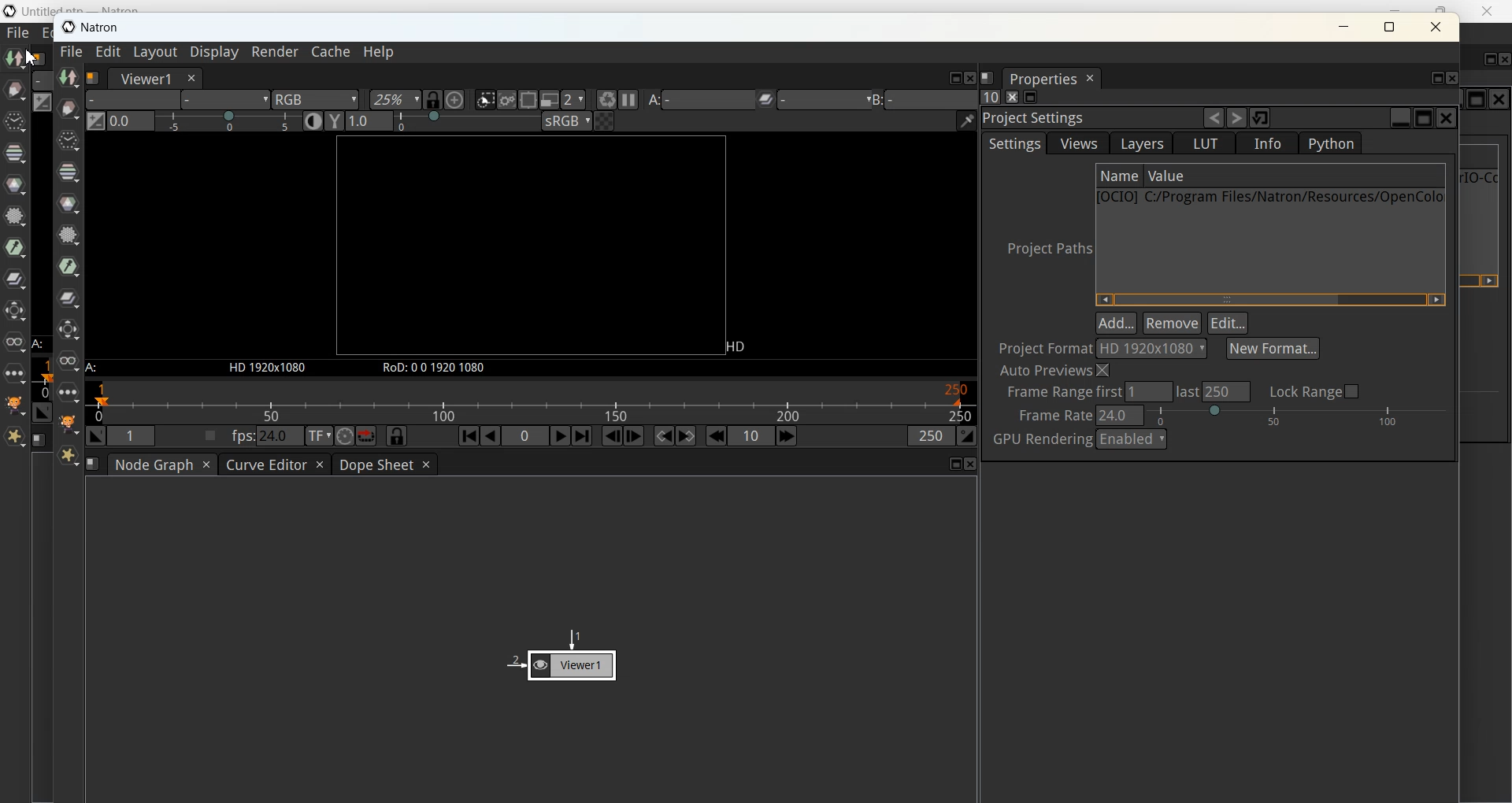  What do you see at coordinates (103, 31) in the screenshot?
I see `Logo` at bounding box center [103, 31].